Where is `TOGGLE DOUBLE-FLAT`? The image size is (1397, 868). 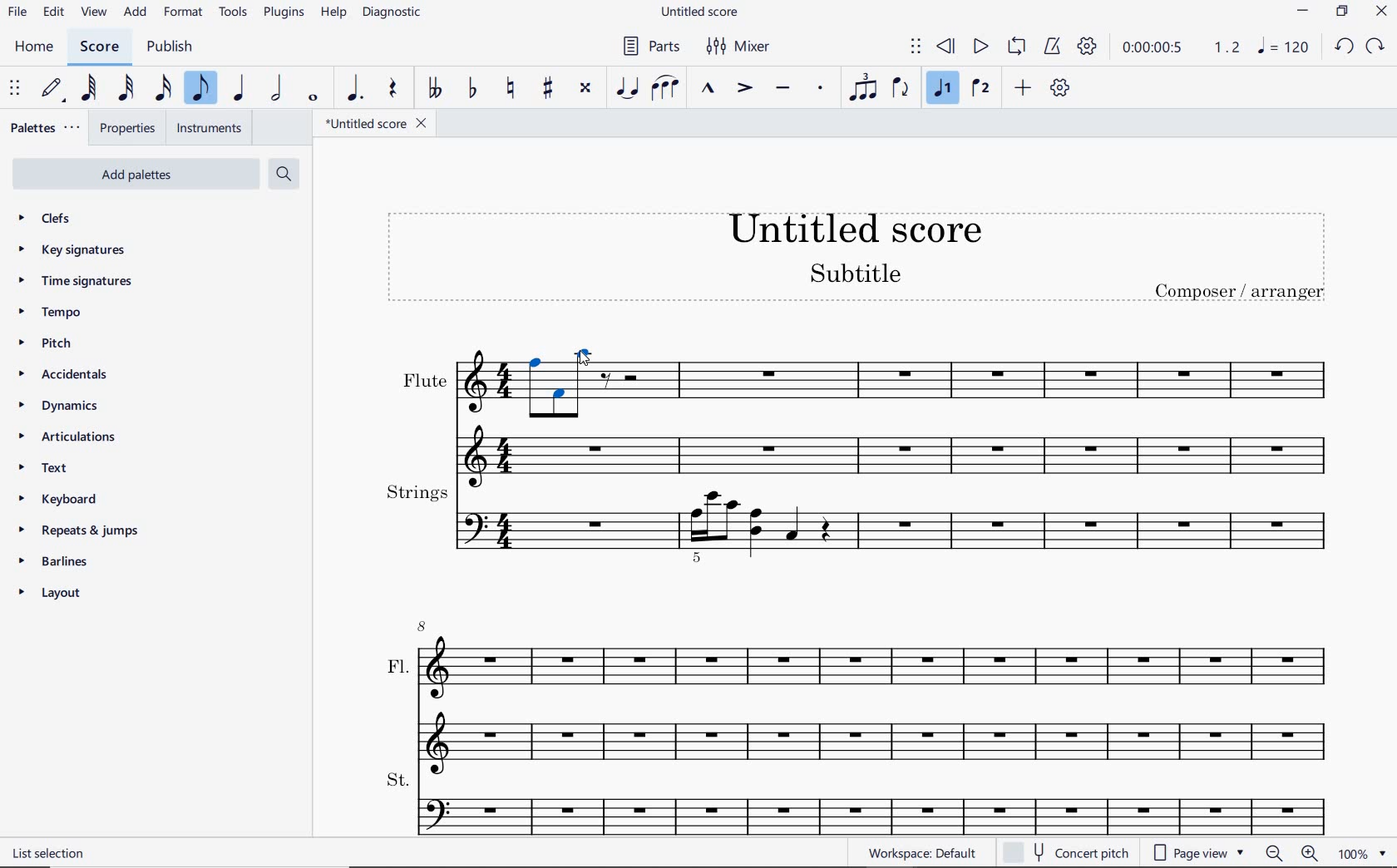
TOGGLE DOUBLE-FLAT is located at coordinates (435, 89).